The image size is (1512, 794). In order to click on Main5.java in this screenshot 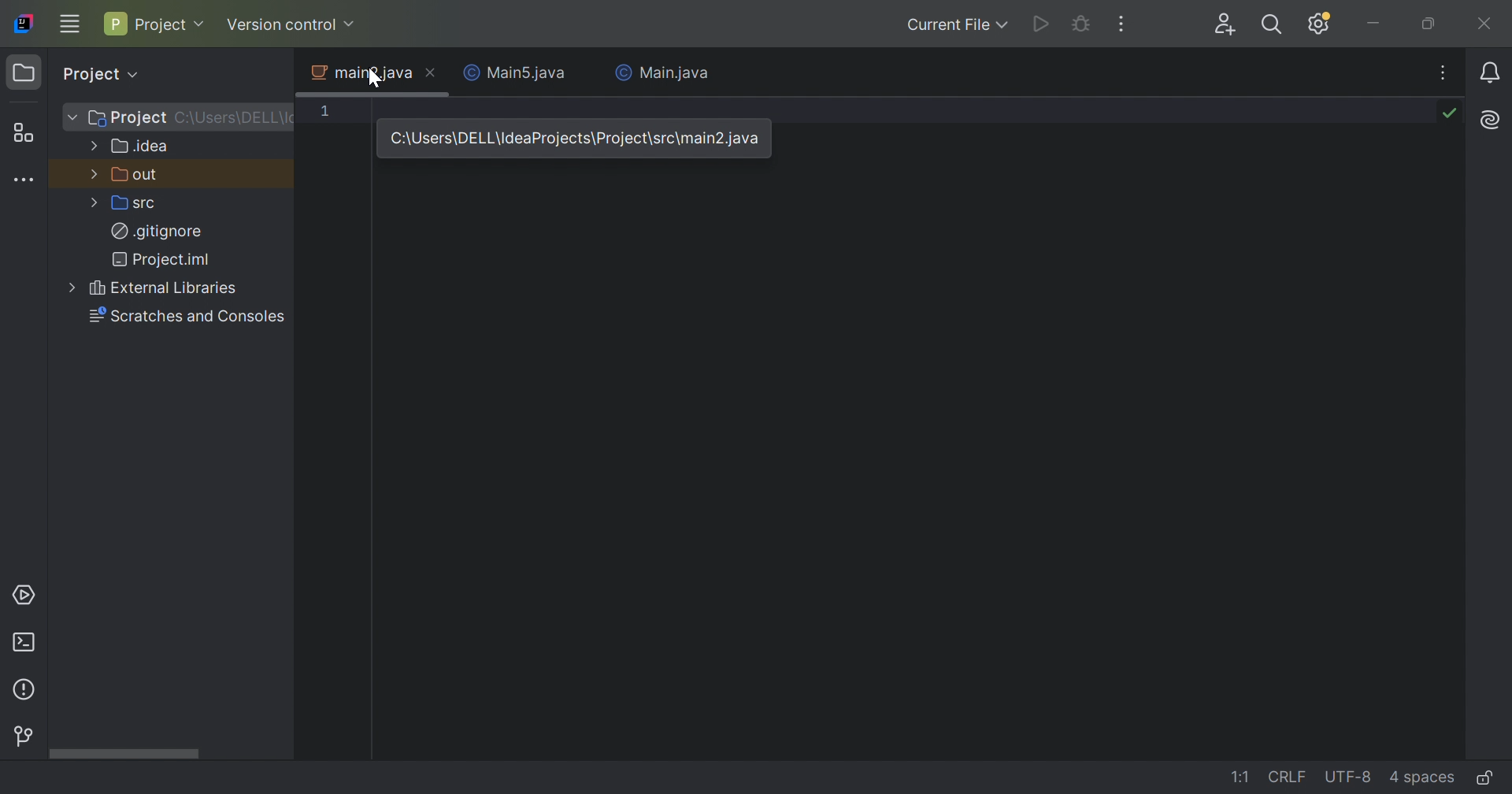, I will do `click(516, 72)`.